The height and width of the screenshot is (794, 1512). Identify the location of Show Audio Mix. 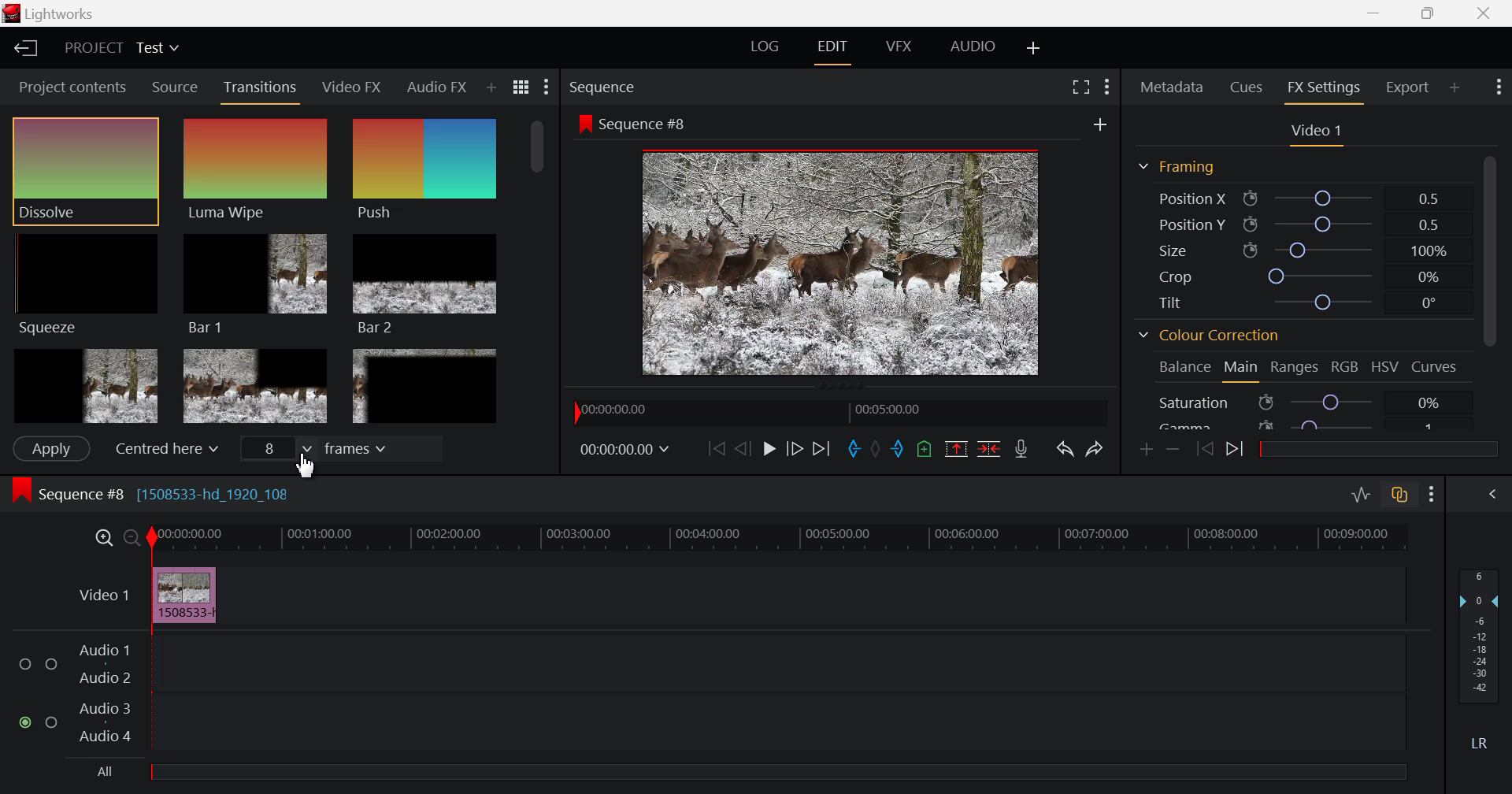
(1492, 495).